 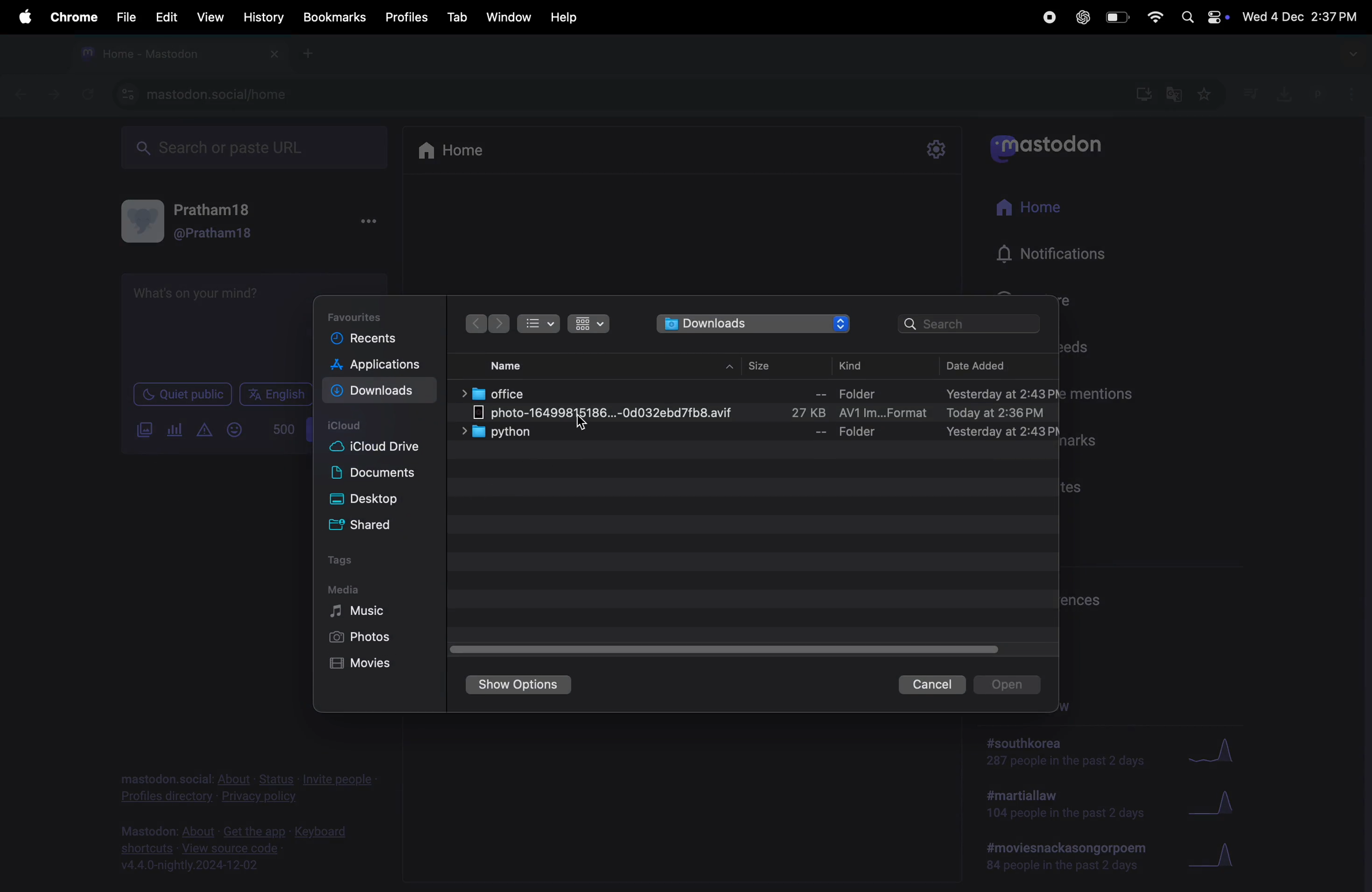 What do you see at coordinates (213, 324) in the screenshot?
I see `text box` at bounding box center [213, 324].